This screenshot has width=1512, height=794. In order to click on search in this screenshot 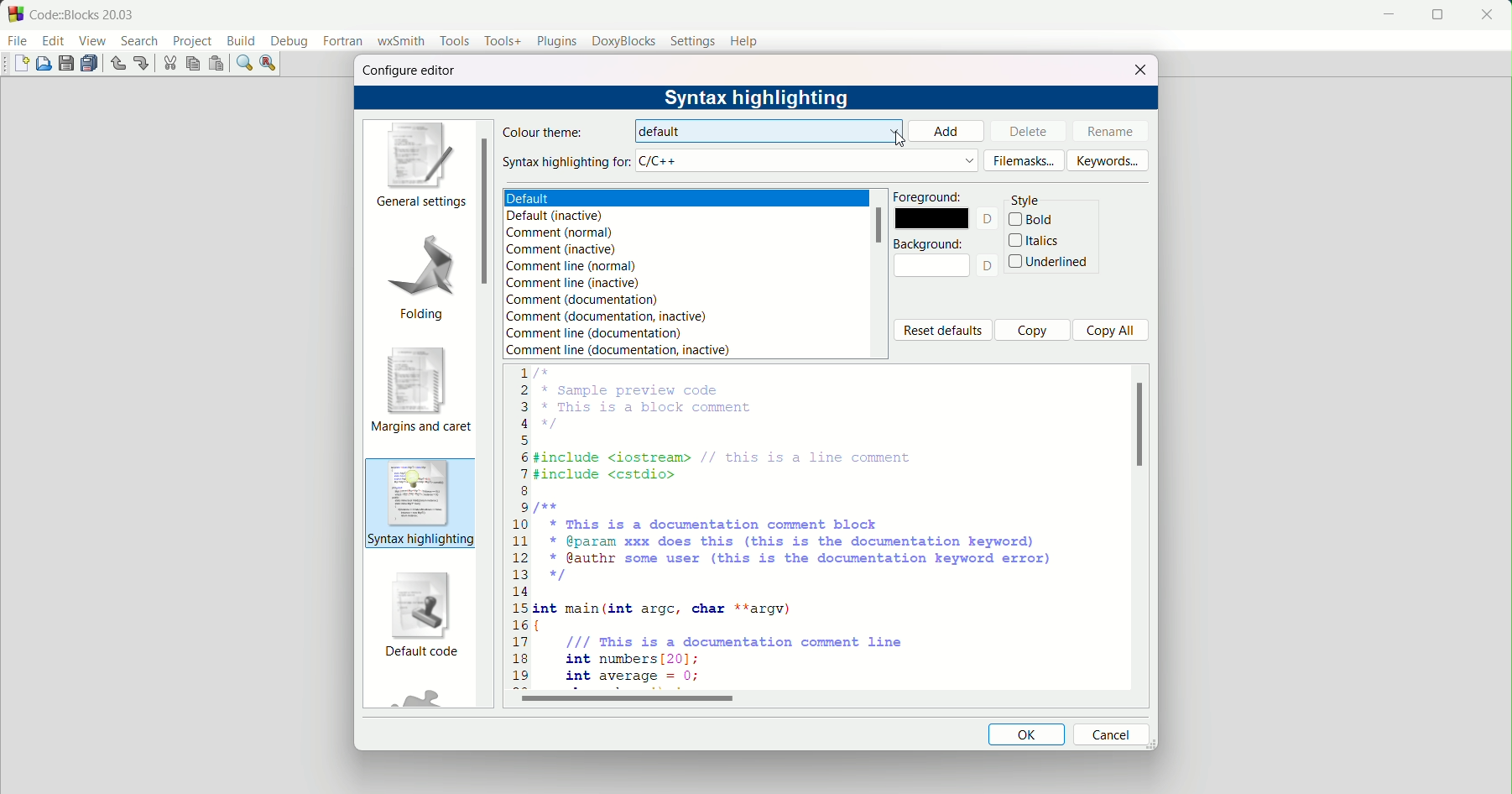, I will do `click(138, 41)`.